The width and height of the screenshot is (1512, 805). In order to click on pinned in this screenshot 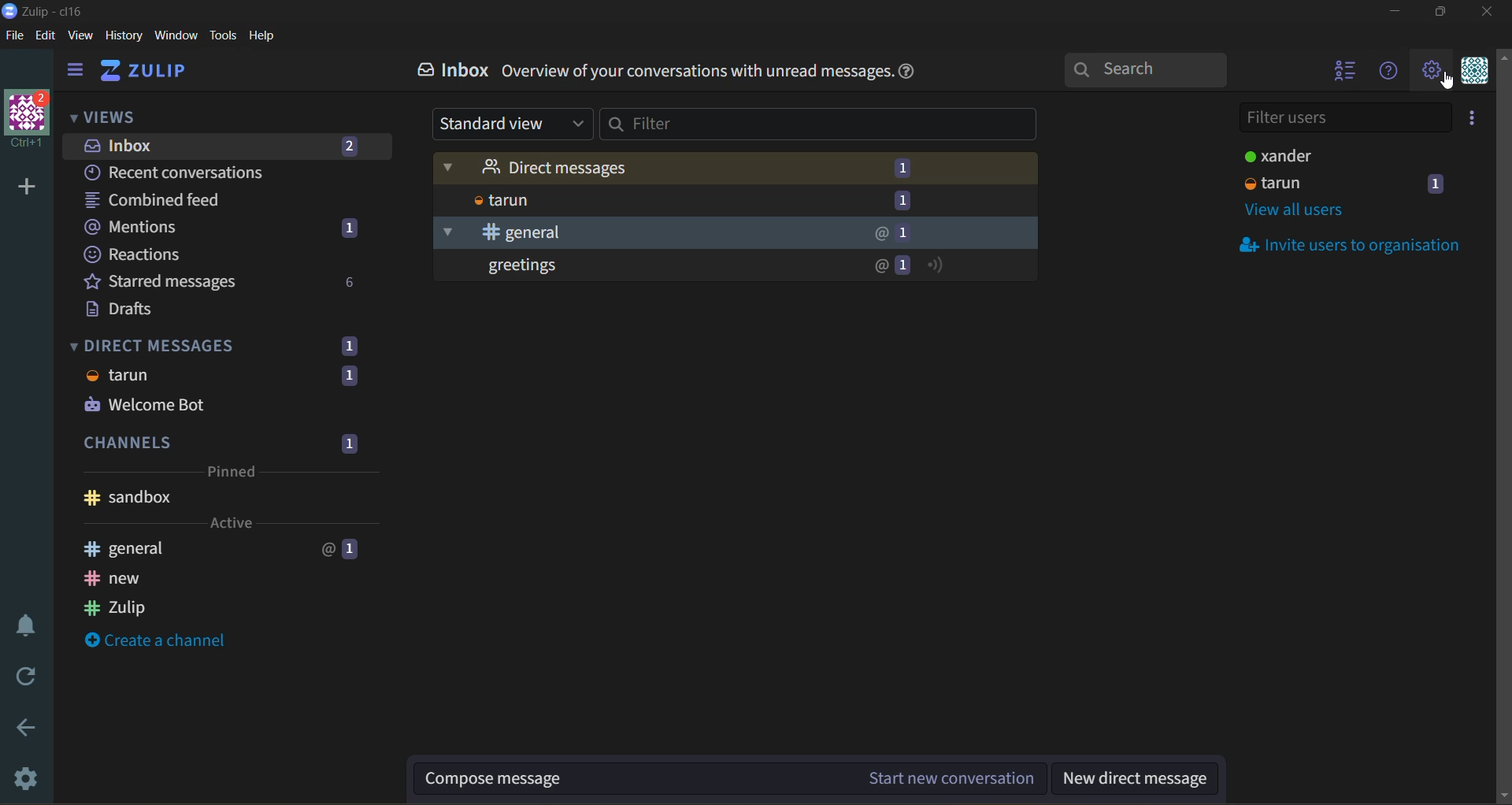, I will do `click(230, 473)`.